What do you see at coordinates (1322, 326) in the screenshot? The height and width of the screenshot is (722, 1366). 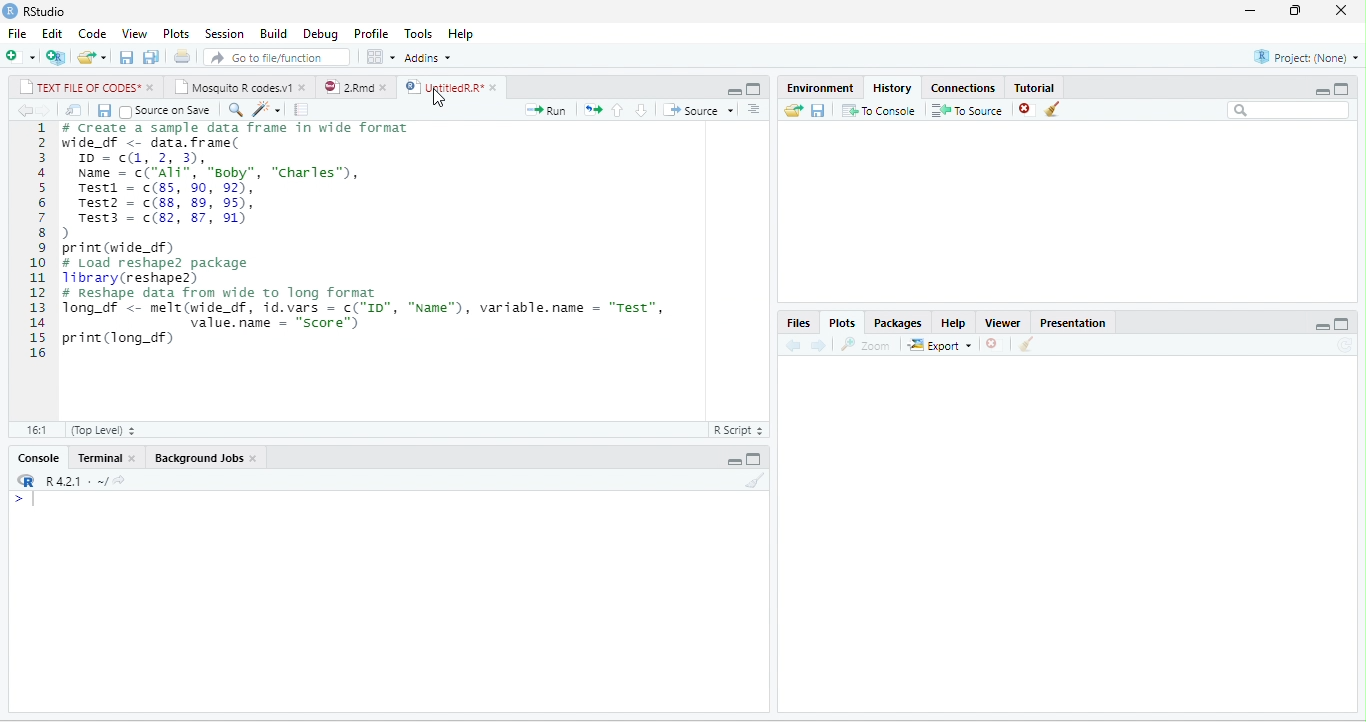 I see `minimize` at bounding box center [1322, 326].